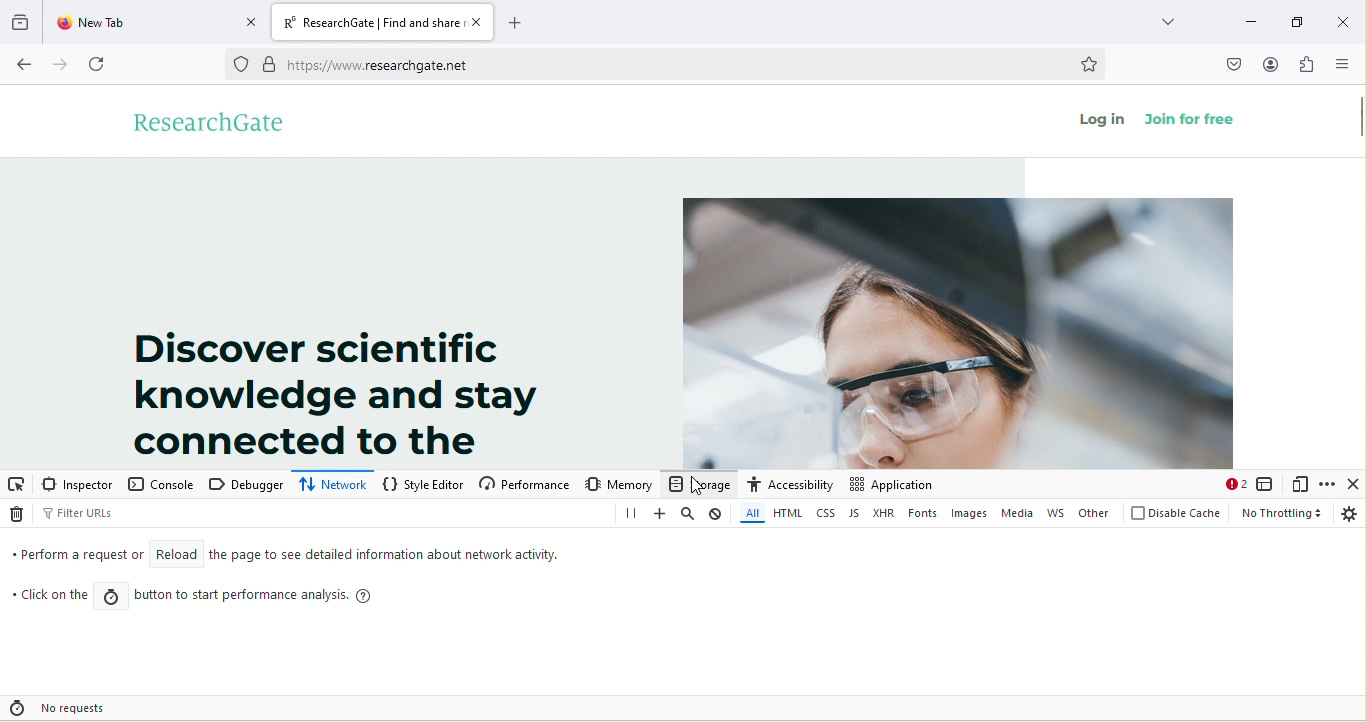 This screenshot has width=1366, height=722. Describe the element at coordinates (20, 22) in the screenshot. I see `recent` at that location.